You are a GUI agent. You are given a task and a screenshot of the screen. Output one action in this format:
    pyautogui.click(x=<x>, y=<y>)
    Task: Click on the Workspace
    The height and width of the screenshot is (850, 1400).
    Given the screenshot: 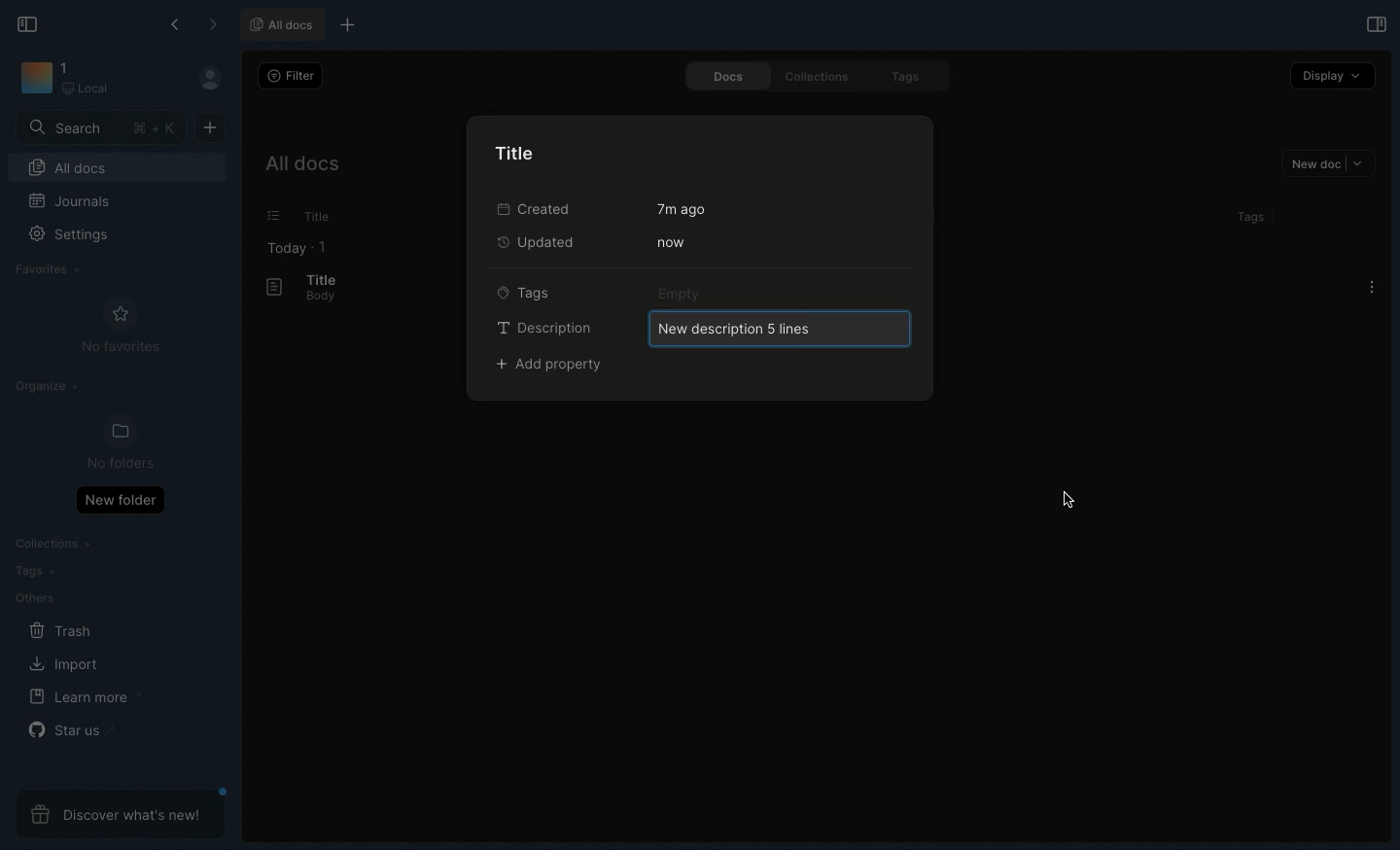 What is the action you would take?
    pyautogui.click(x=94, y=80)
    